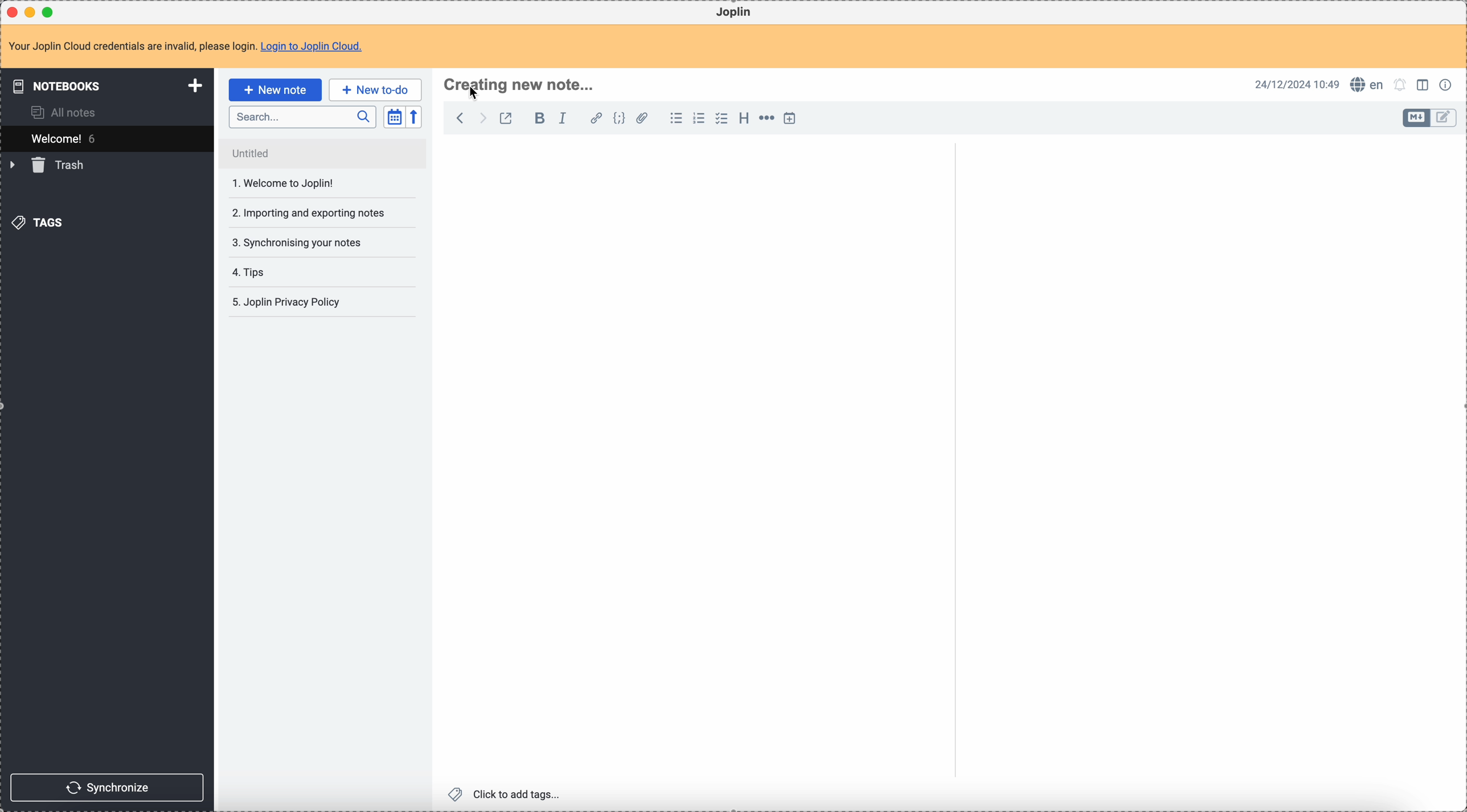 The height and width of the screenshot is (812, 1467). Describe the element at coordinates (505, 794) in the screenshot. I see `click to add tags` at that location.